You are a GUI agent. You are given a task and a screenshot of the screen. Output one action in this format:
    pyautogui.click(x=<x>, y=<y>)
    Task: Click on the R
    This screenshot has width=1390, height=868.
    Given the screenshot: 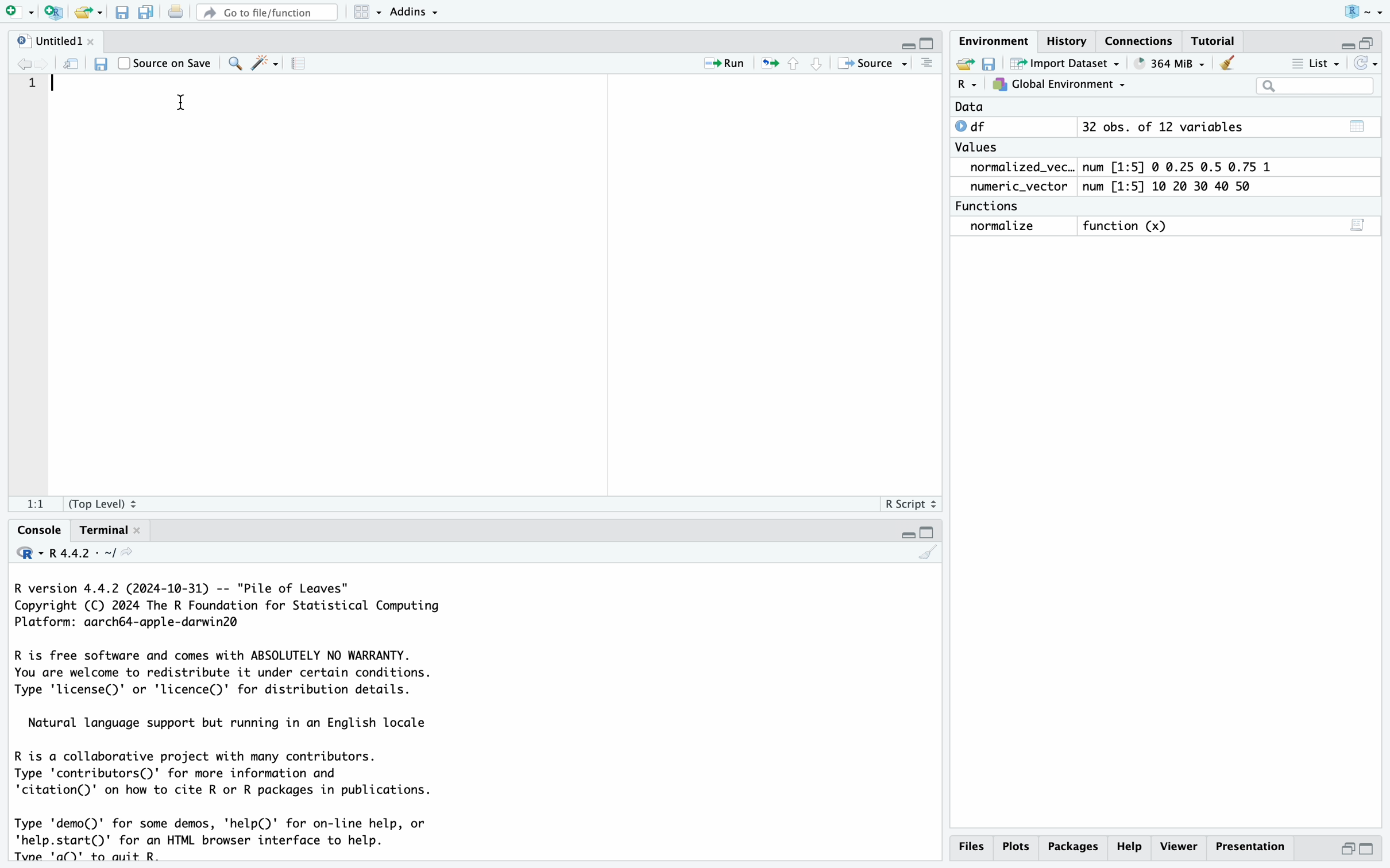 What is the action you would take?
    pyautogui.click(x=967, y=85)
    